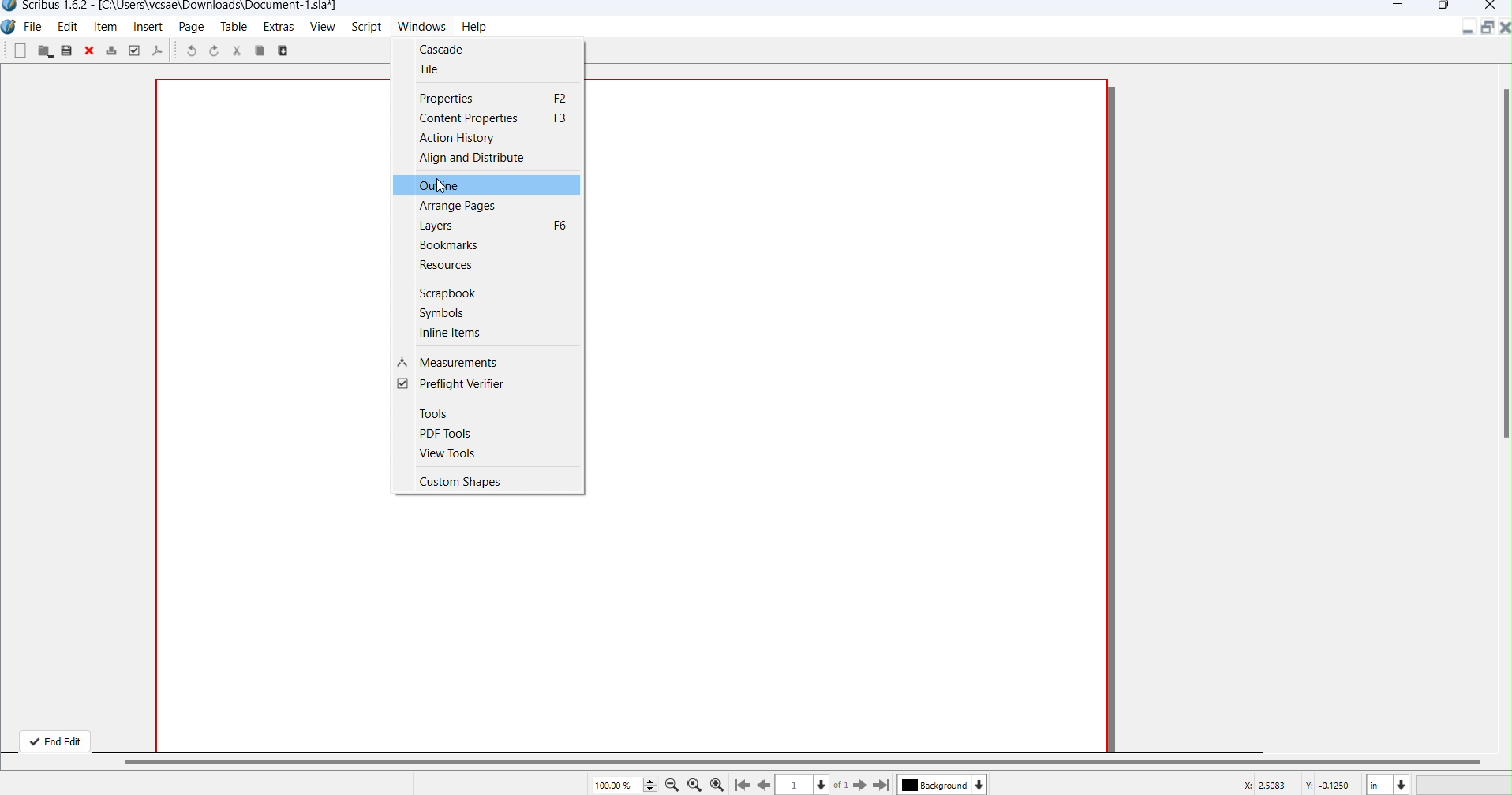 Image resolution: width=1512 pixels, height=795 pixels. I want to click on Outlime, so click(447, 186).